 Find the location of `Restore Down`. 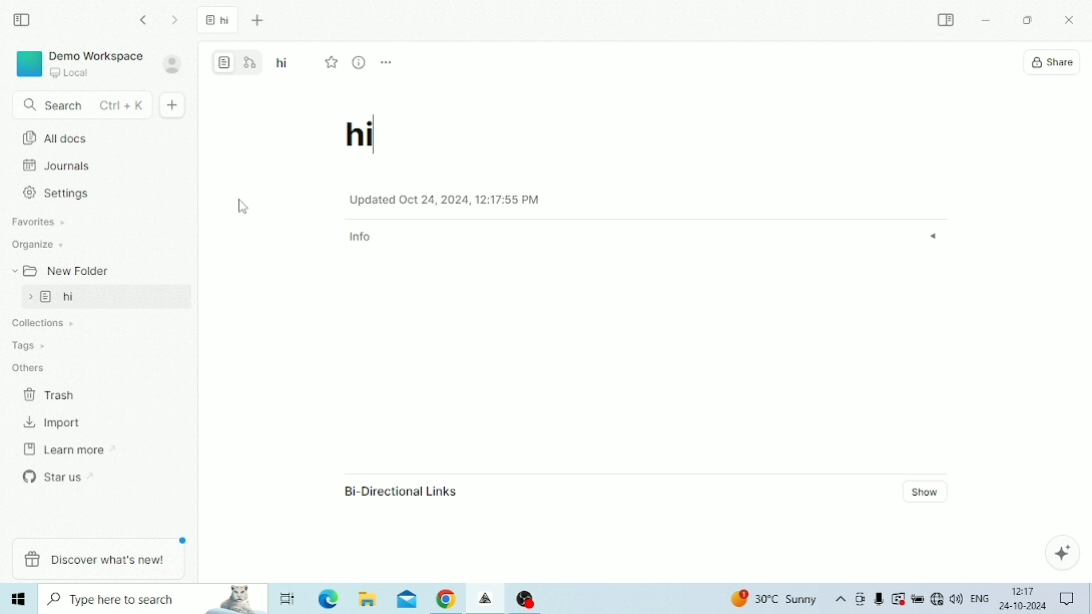

Restore Down is located at coordinates (1027, 21).